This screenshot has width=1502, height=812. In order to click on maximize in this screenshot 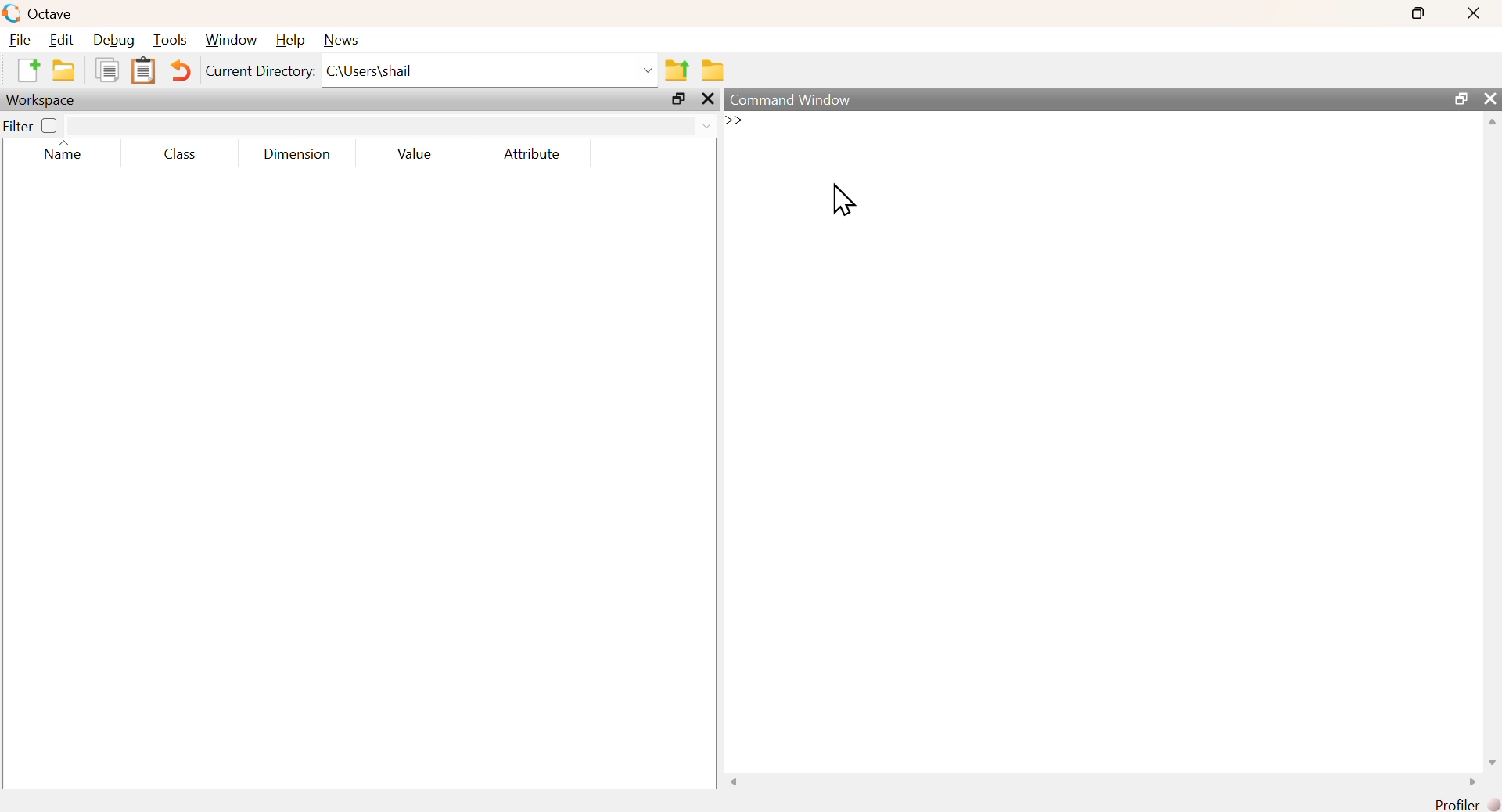, I will do `click(1416, 13)`.